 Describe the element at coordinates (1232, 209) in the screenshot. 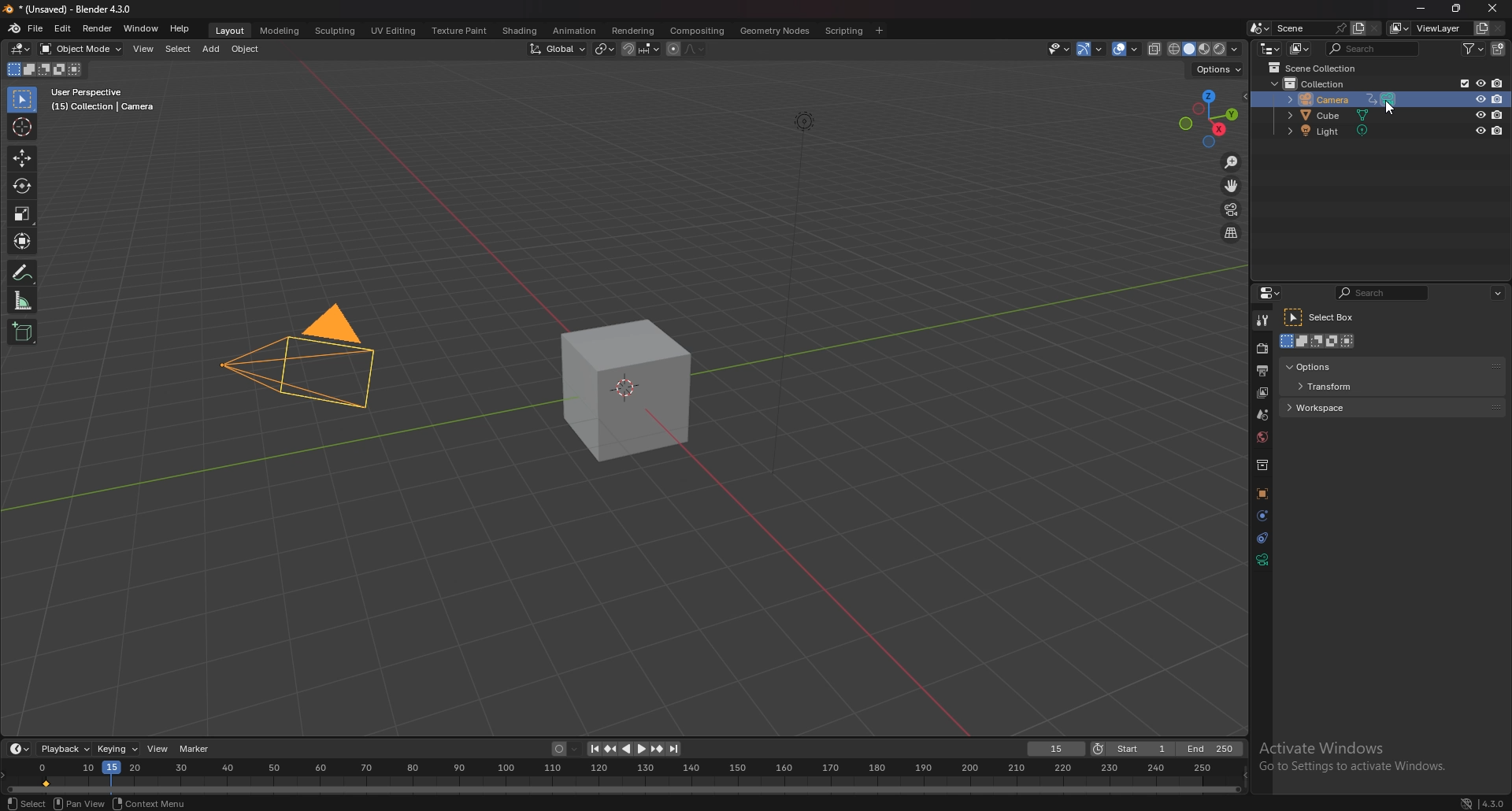

I see `camera view` at that location.